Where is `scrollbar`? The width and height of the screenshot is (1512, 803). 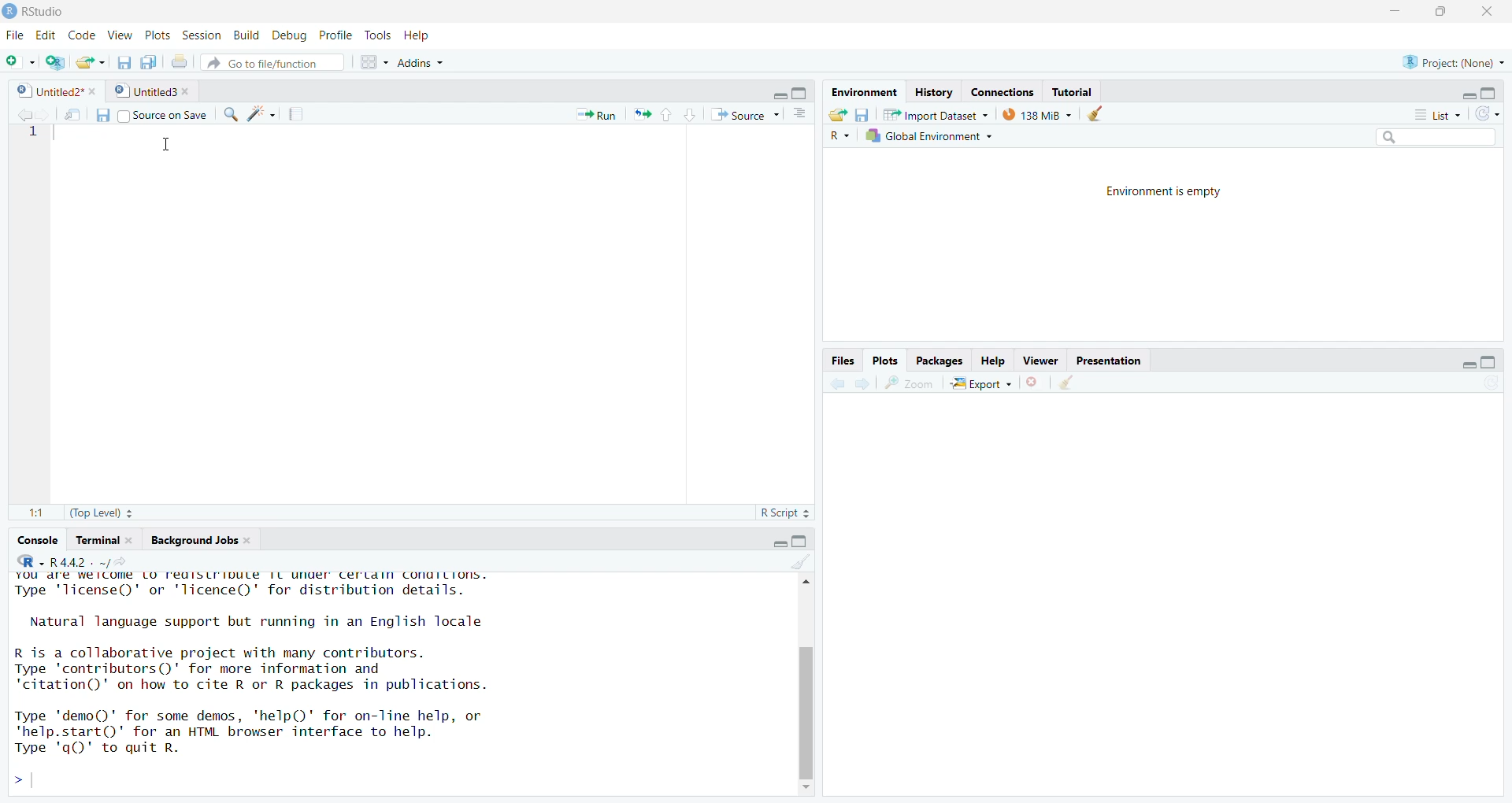
scrollbar is located at coordinates (800, 683).